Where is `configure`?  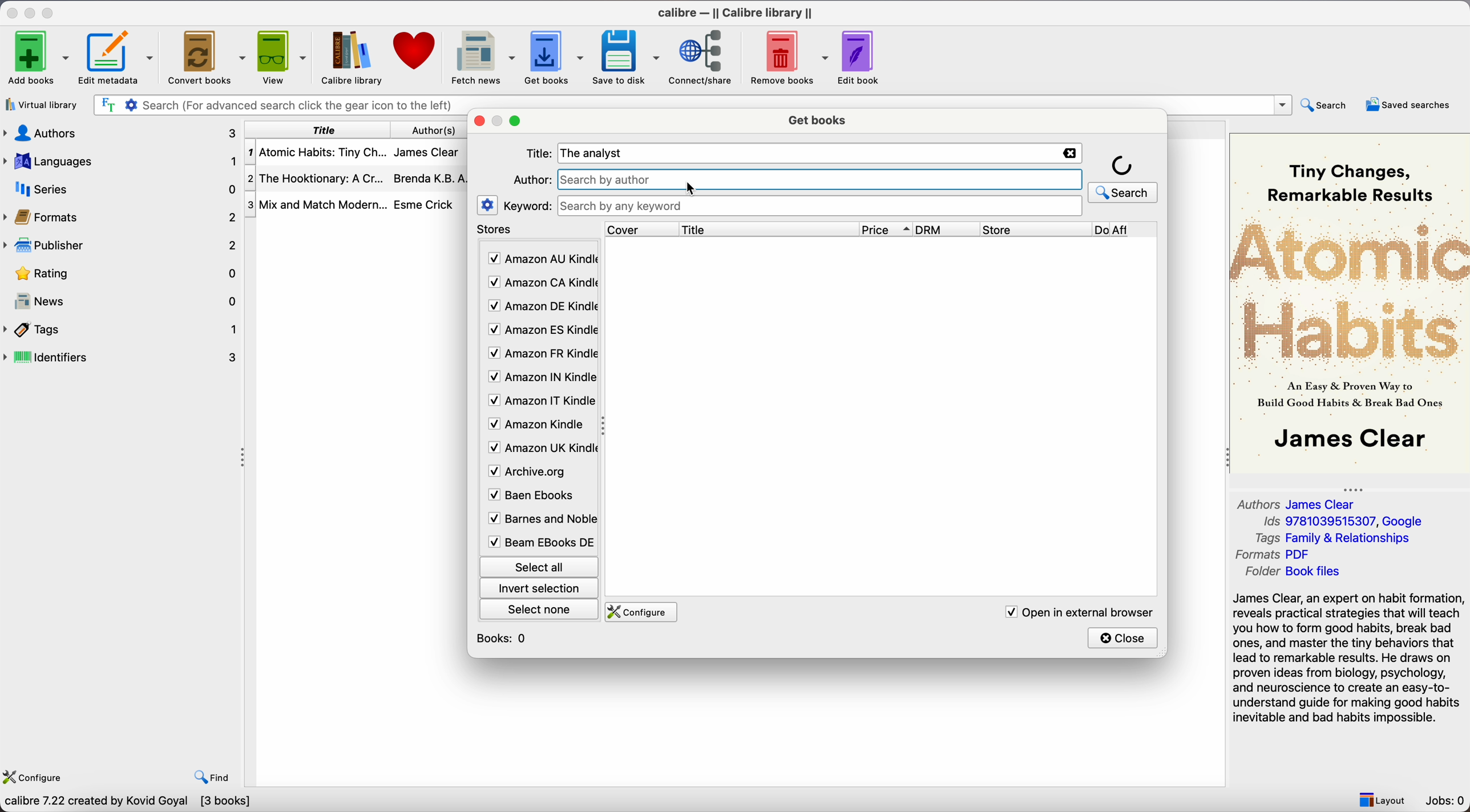 configure is located at coordinates (643, 612).